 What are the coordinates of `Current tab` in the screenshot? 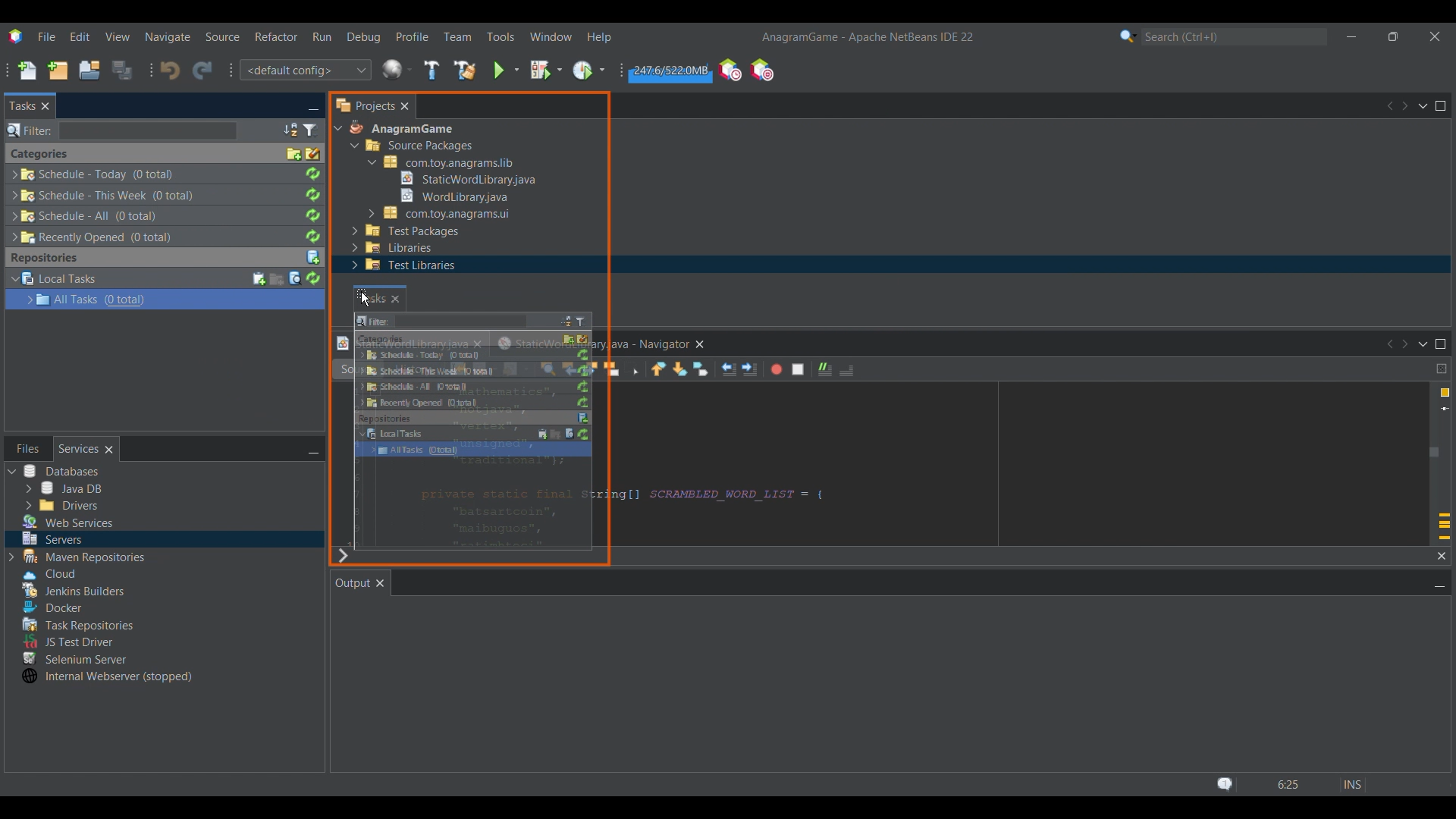 It's located at (23, 106).